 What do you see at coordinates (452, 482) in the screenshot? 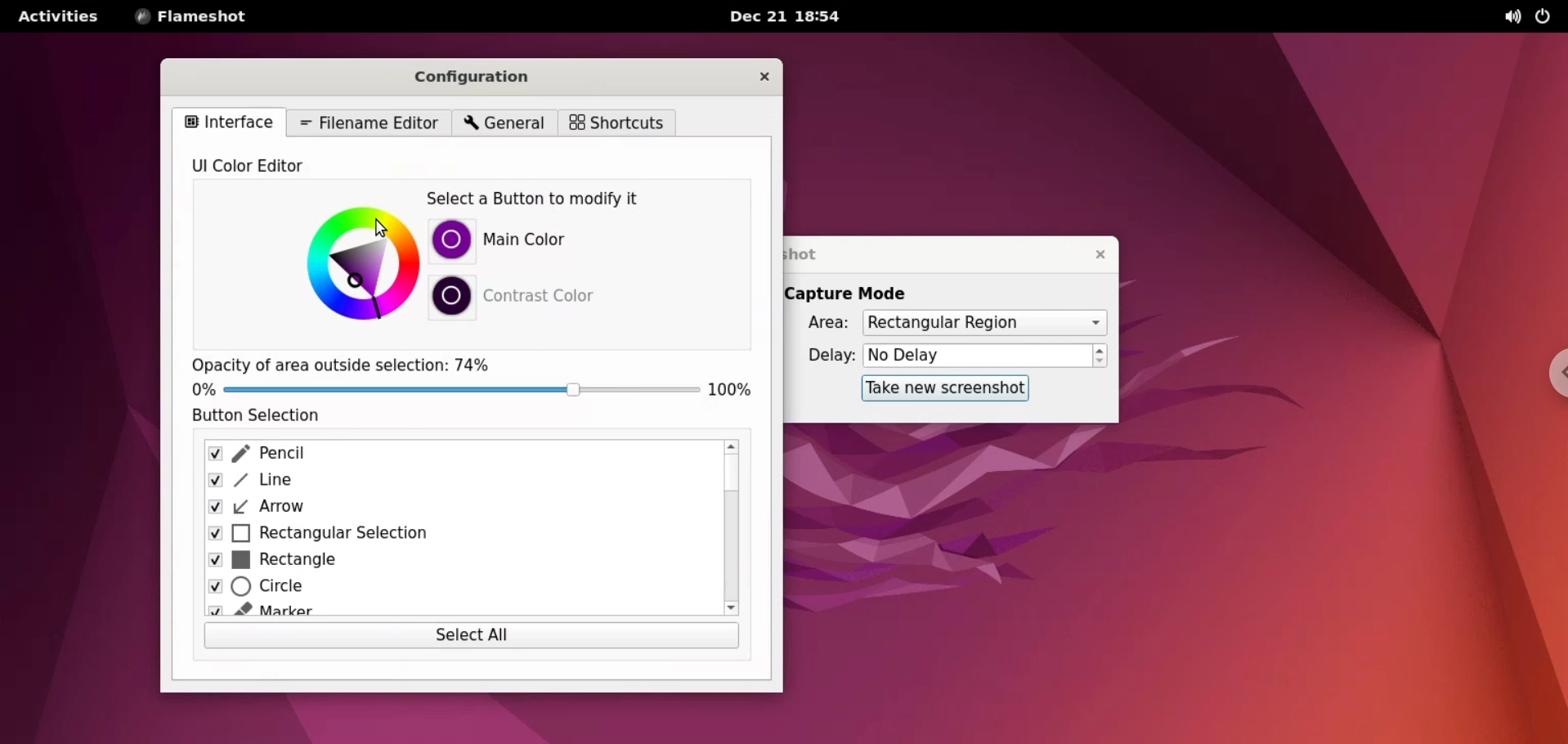
I see `line checkbox` at bounding box center [452, 482].